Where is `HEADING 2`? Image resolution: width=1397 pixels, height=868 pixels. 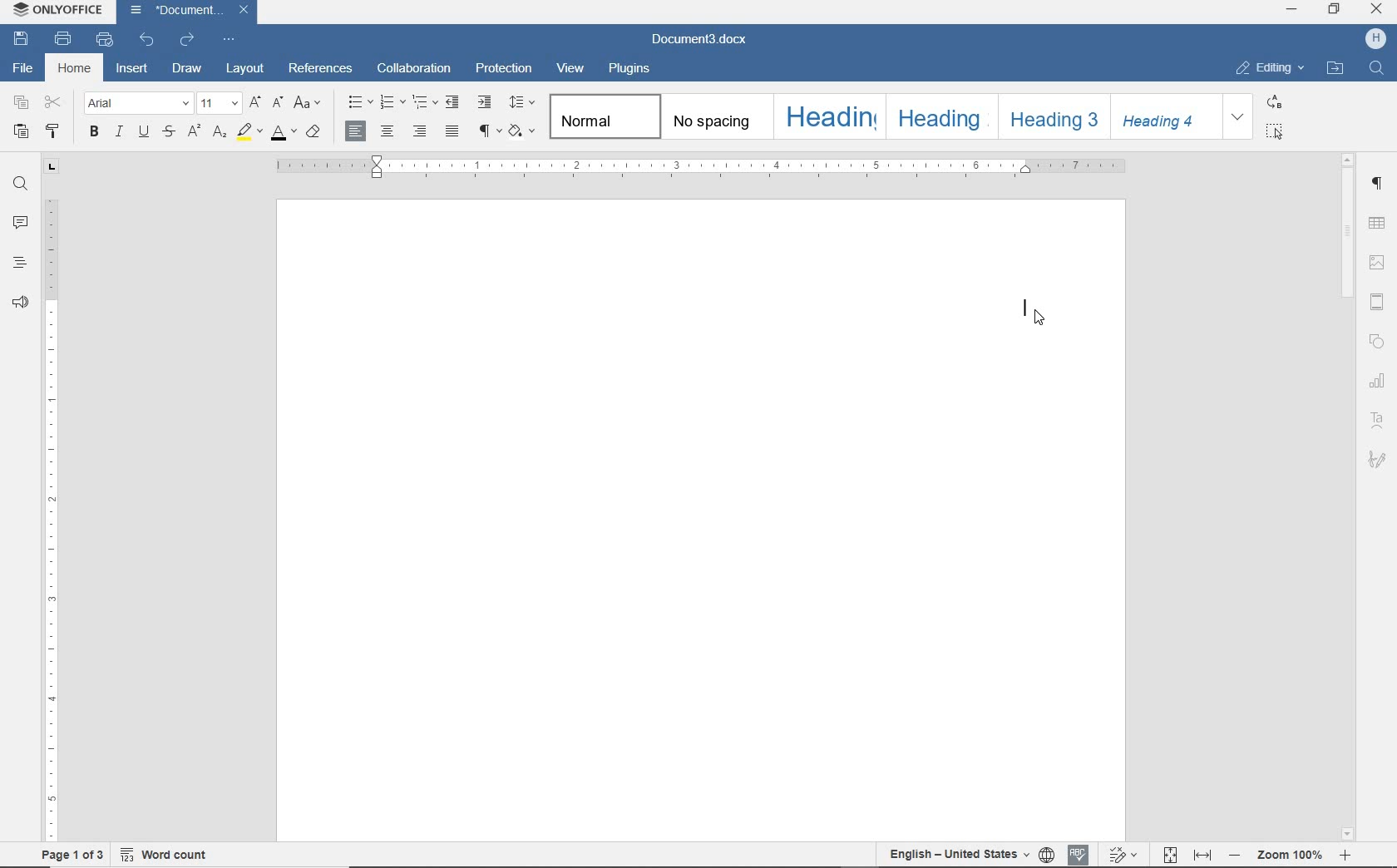
HEADING 2 is located at coordinates (940, 116).